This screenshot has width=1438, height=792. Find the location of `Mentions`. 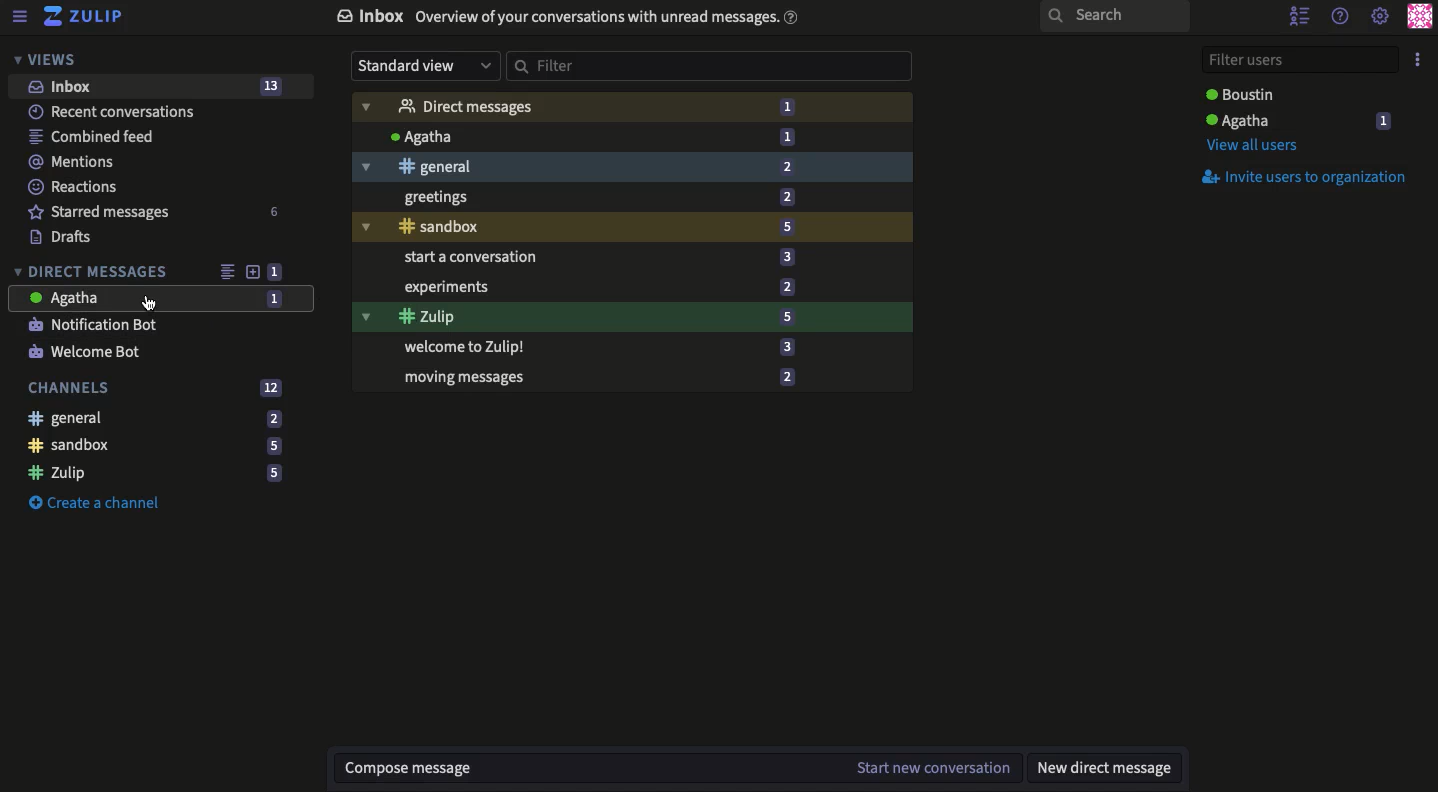

Mentions is located at coordinates (77, 163).